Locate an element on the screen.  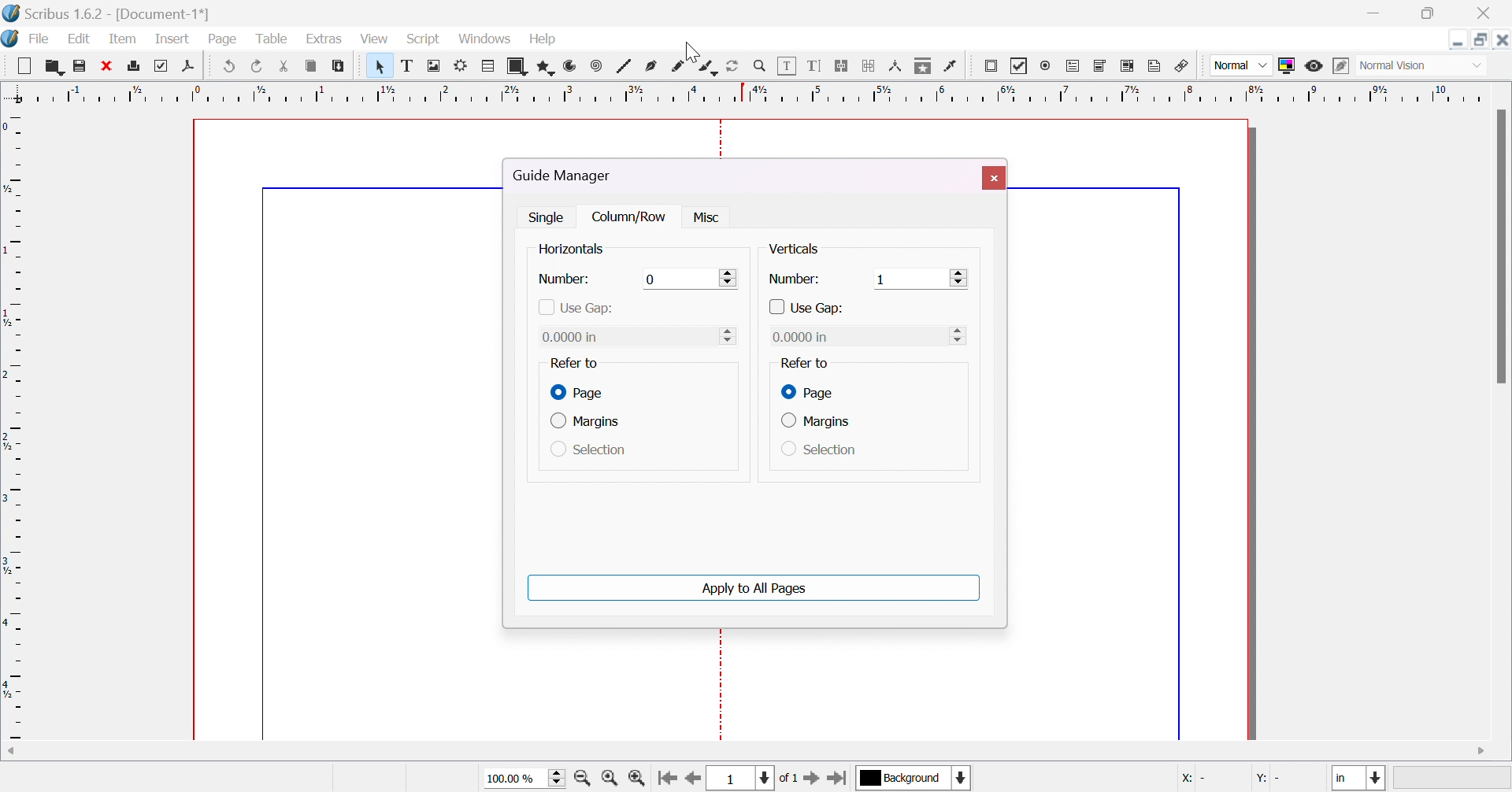
copy is located at coordinates (313, 65).